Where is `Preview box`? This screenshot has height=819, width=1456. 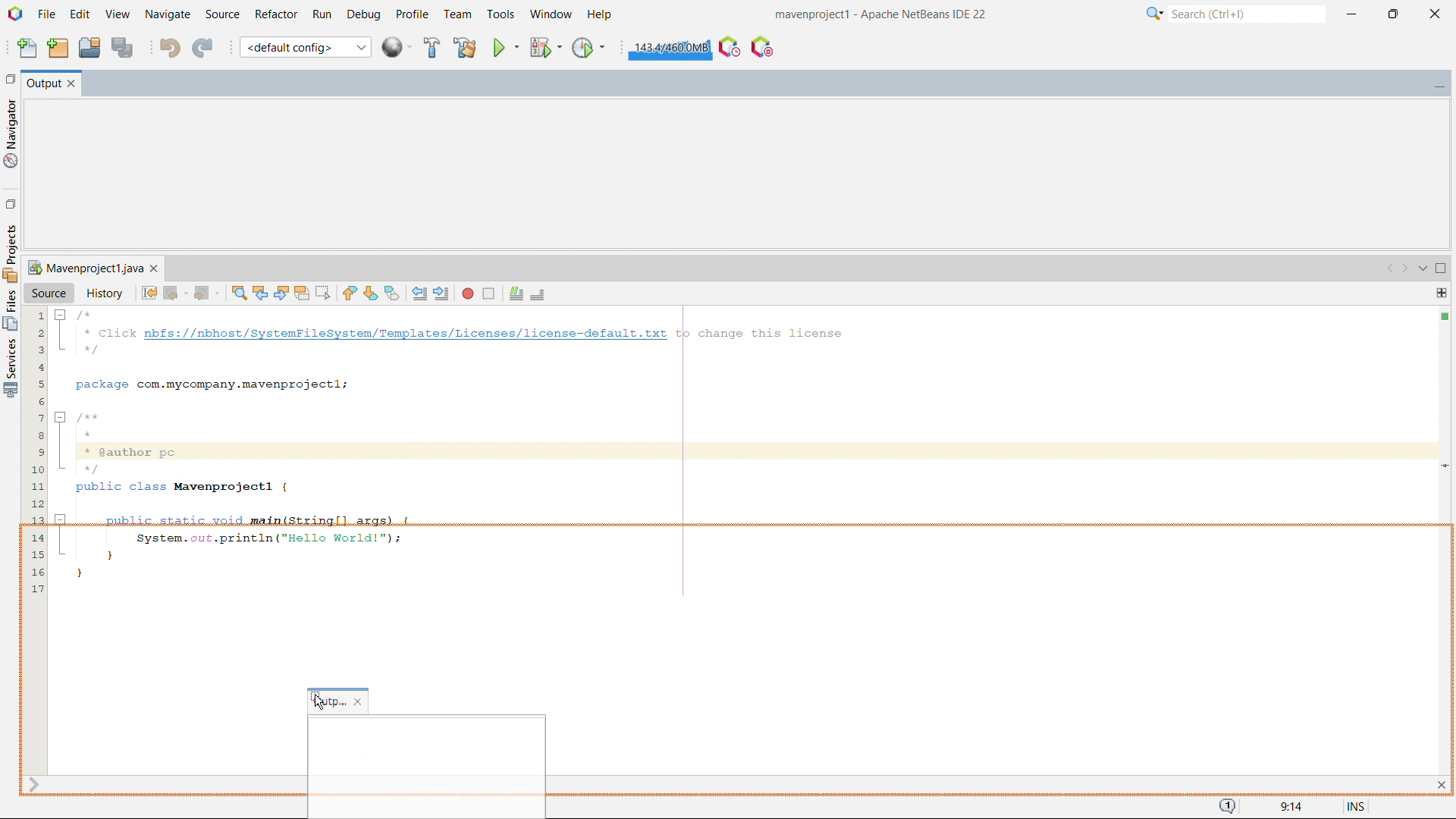 Preview box is located at coordinates (426, 763).